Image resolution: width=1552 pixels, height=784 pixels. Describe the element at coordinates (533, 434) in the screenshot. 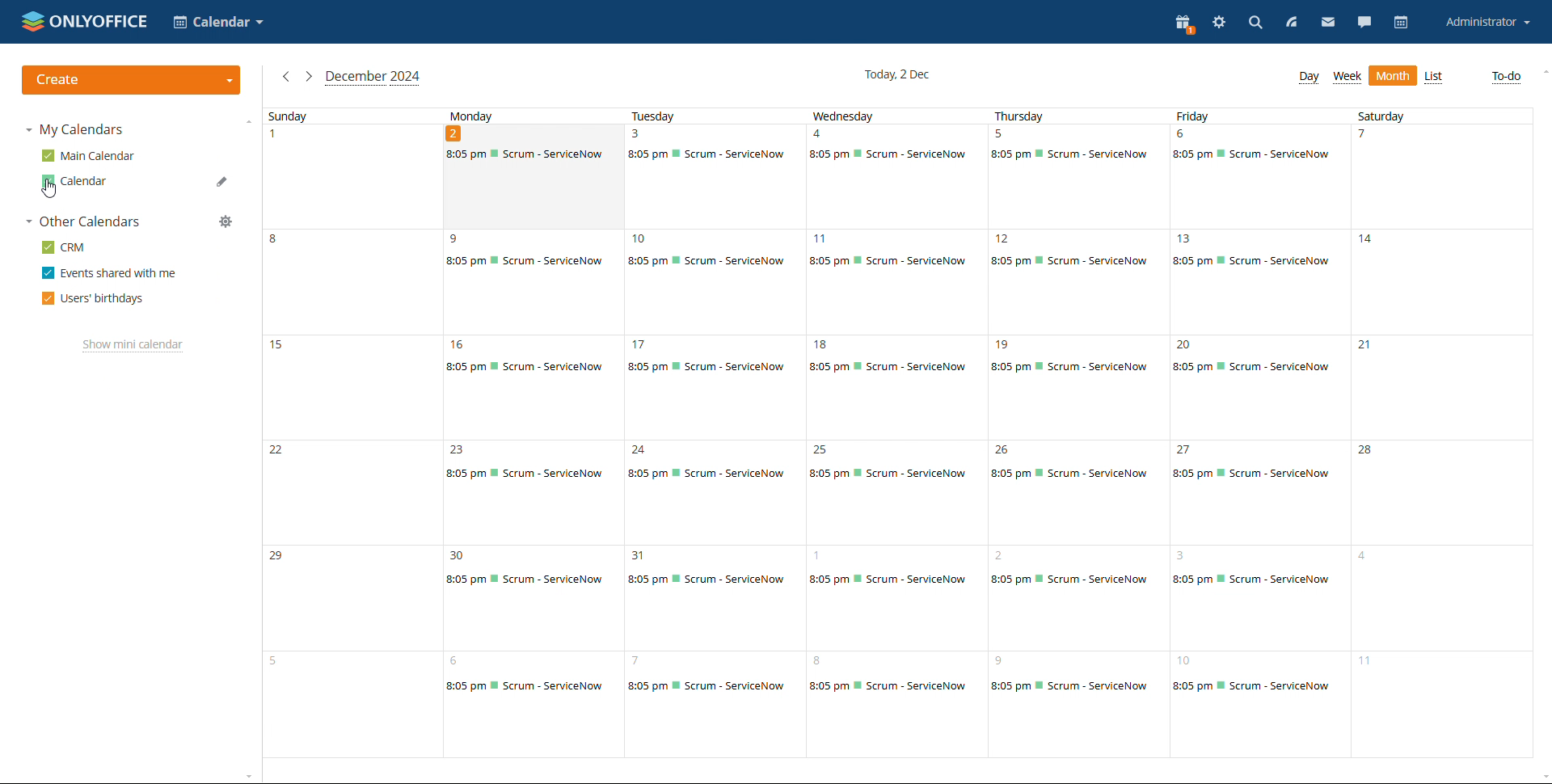

I see `monday` at that location.